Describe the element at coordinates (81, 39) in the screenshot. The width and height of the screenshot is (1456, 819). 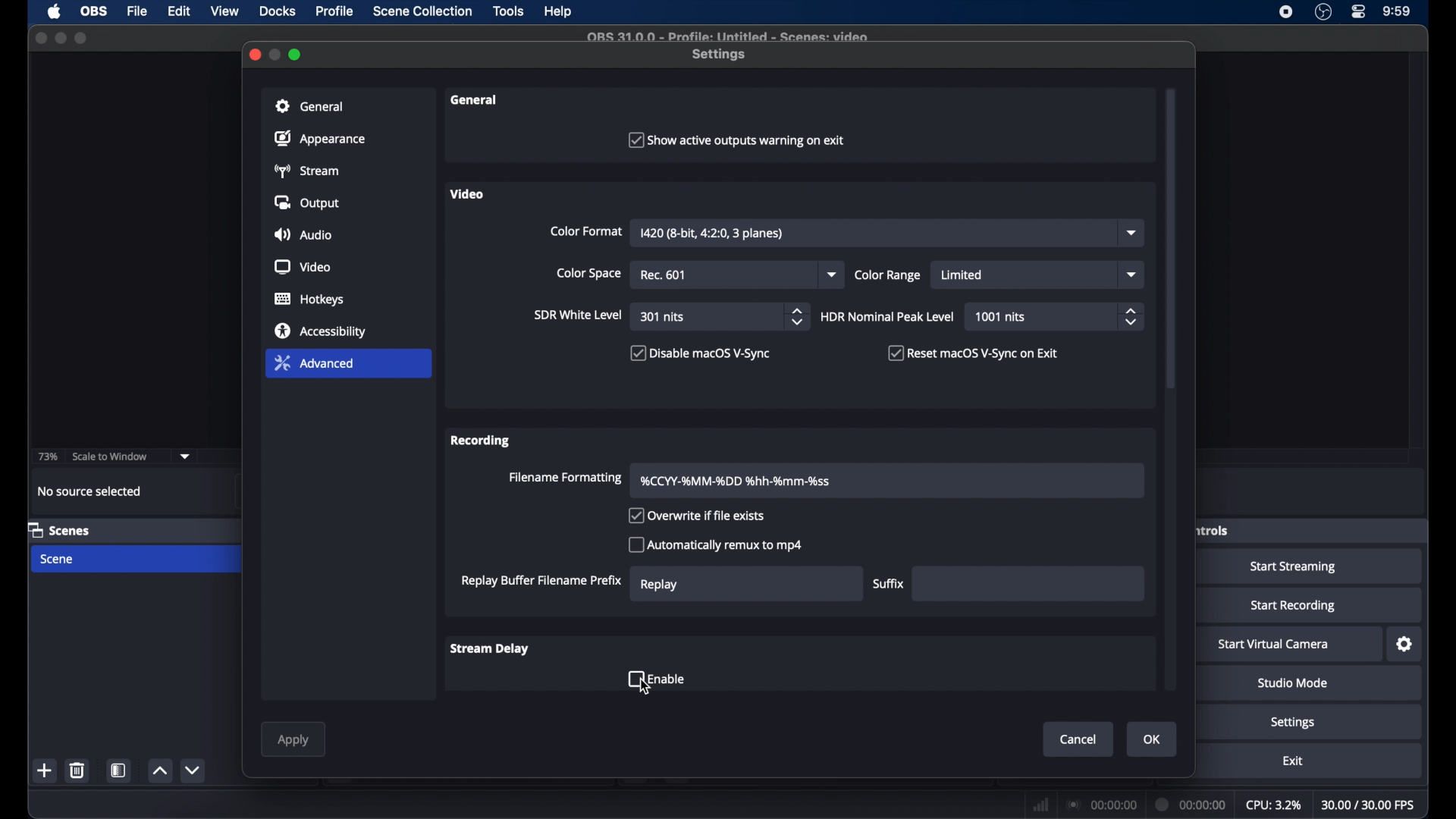
I see `maximize` at that location.